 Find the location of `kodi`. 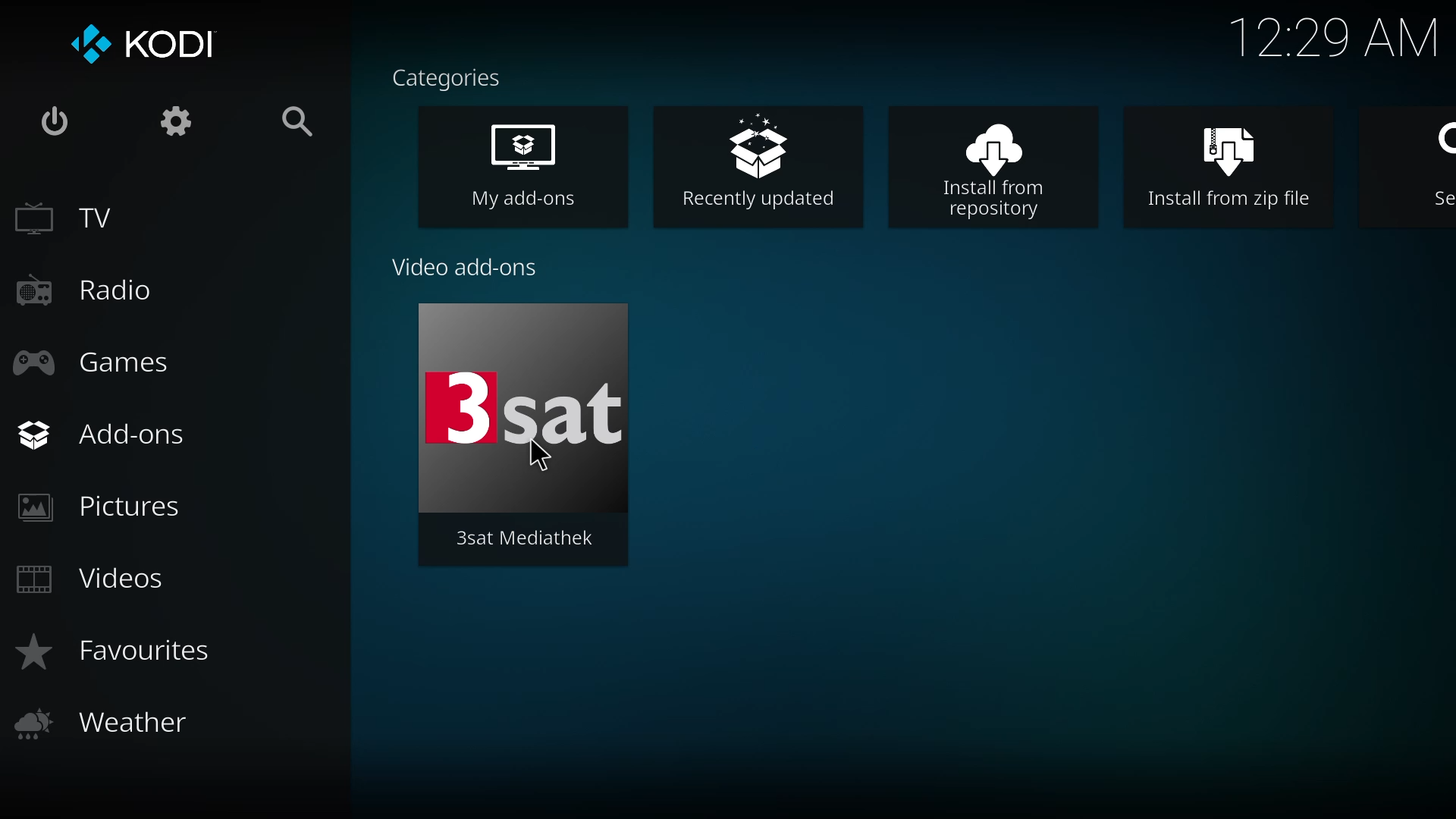

kodi is located at coordinates (146, 45).